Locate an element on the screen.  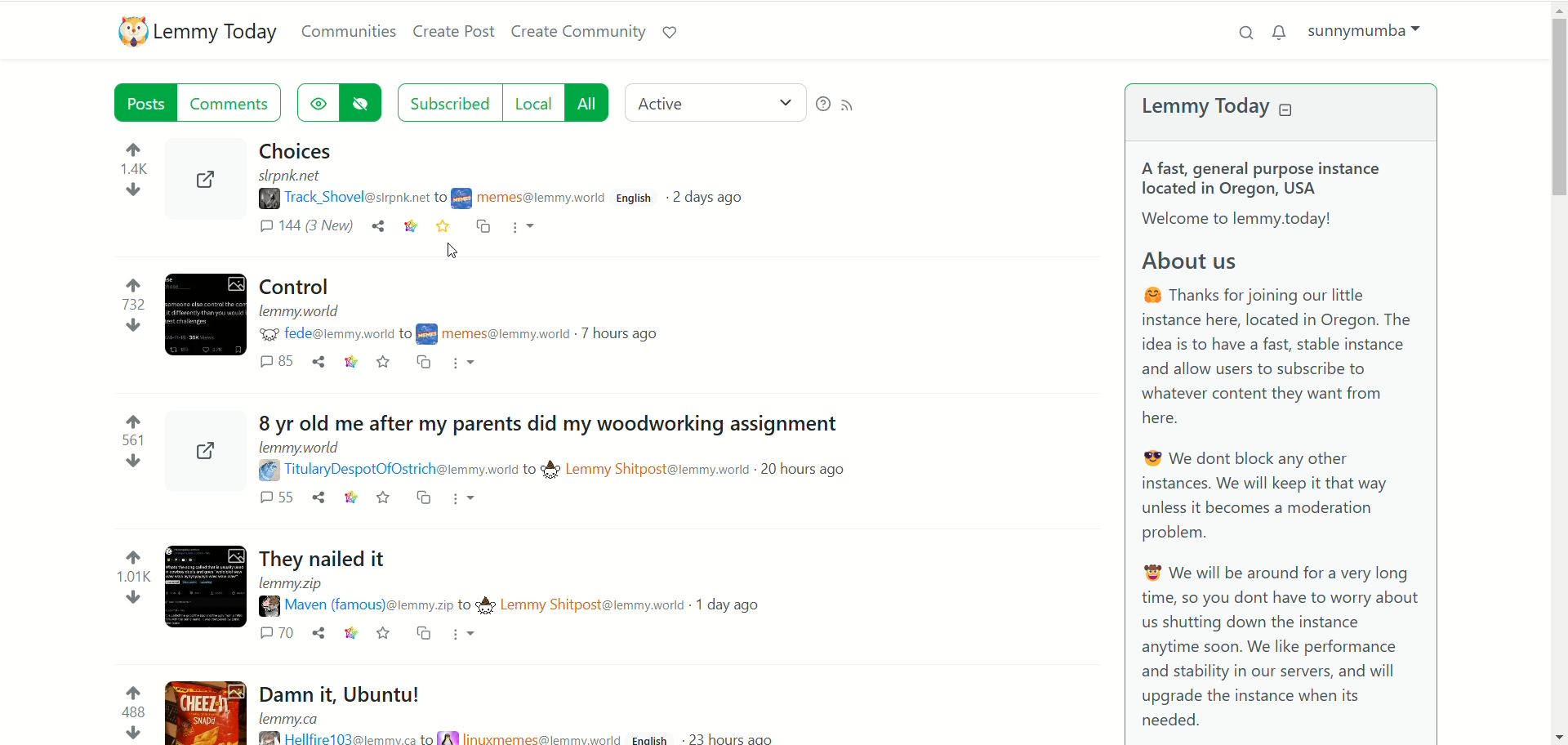
subscribed is located at coordinates (447, 101).